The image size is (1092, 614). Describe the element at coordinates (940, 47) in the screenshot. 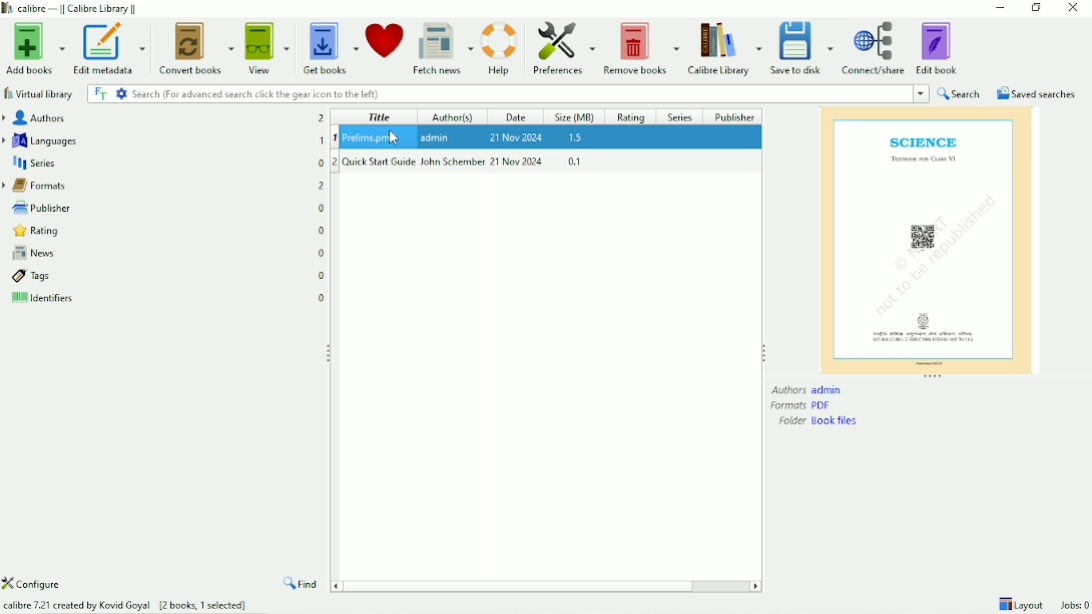

I see `Edit book` at that location.